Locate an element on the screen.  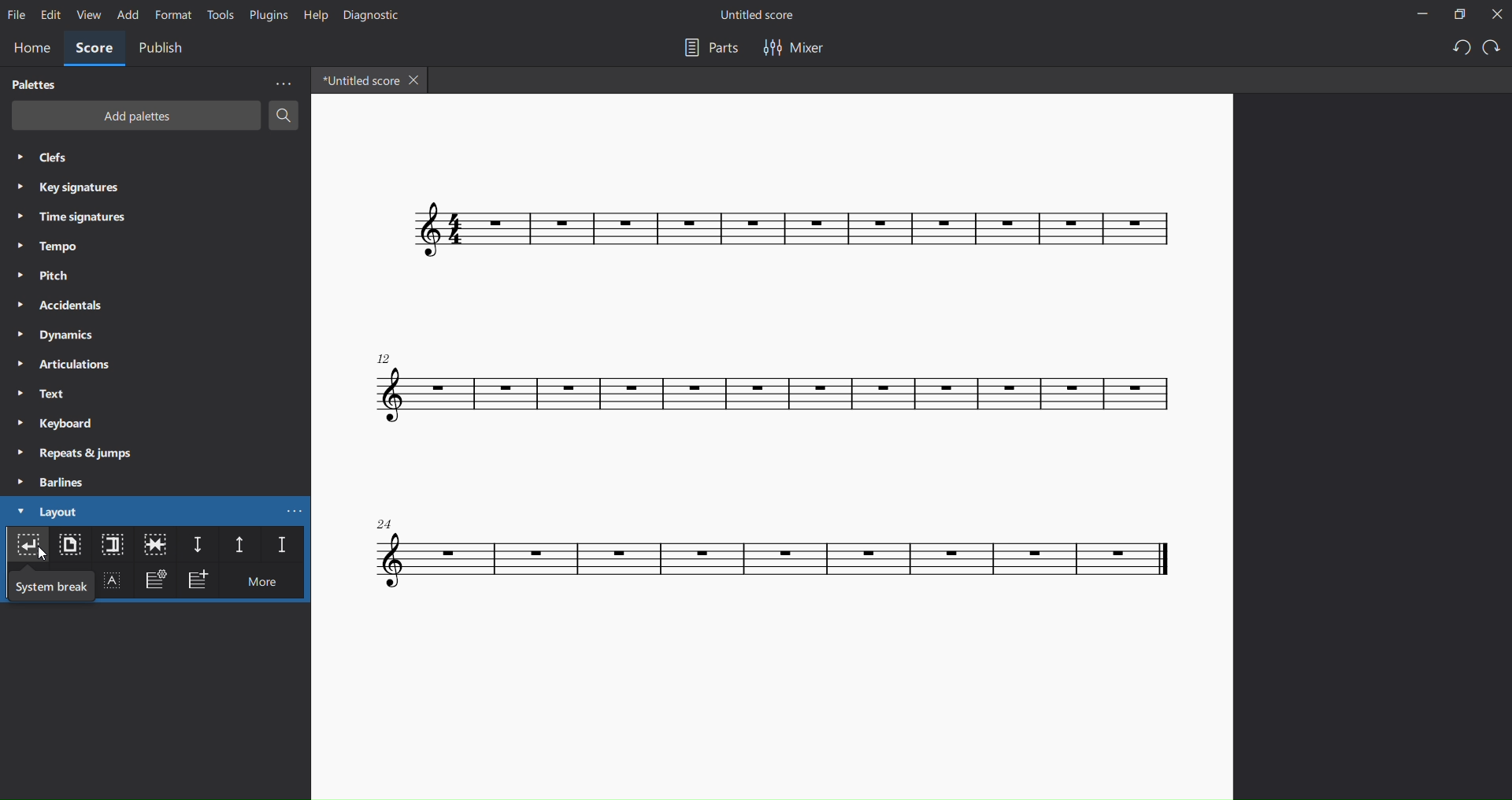
barlines is located at coordinates (53, 482).